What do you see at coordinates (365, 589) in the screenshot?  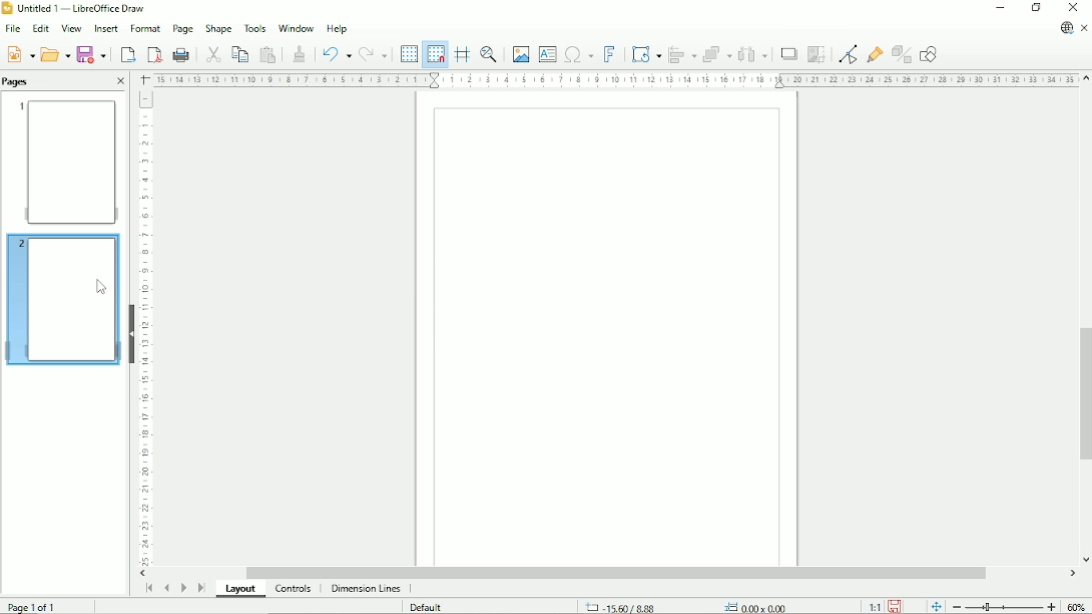 I see `Dimension lines` at bounding box center [365, 589].